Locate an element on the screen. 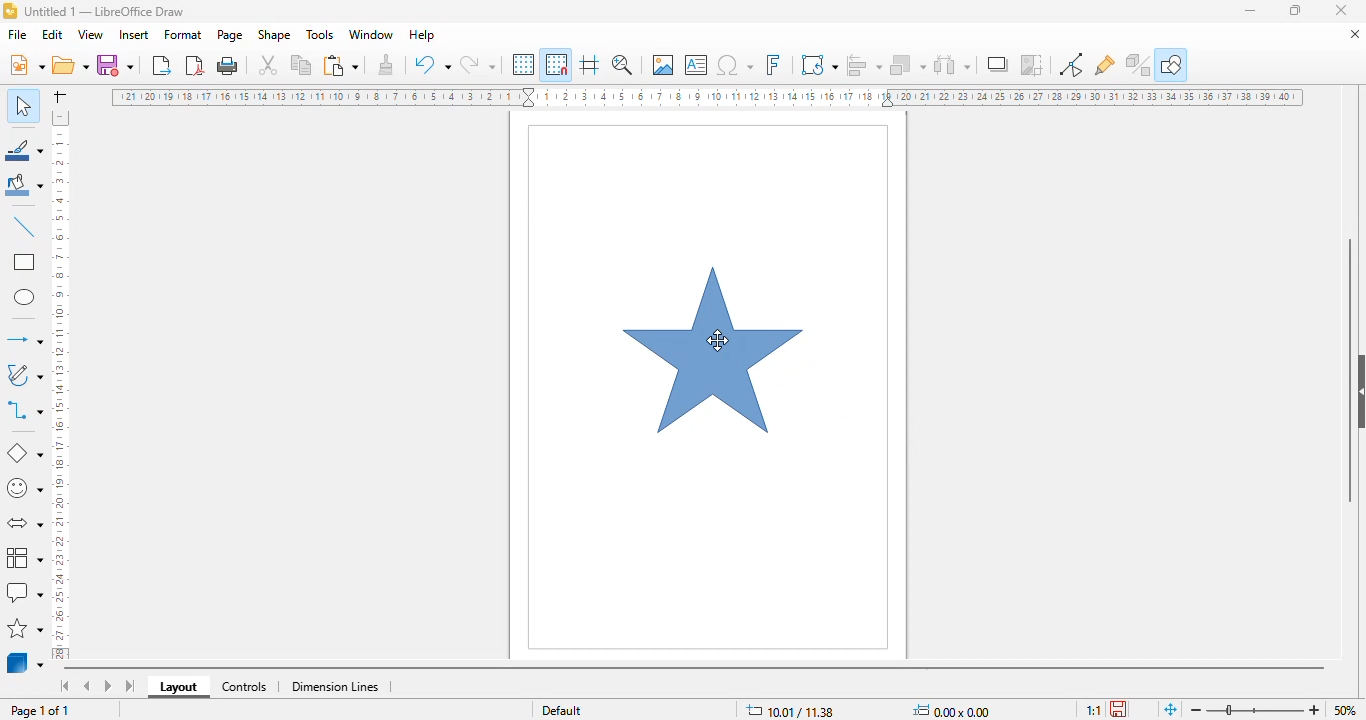 This screenshot has height=720, width=1366. symbol shapes is located at coordinates (25, 489).